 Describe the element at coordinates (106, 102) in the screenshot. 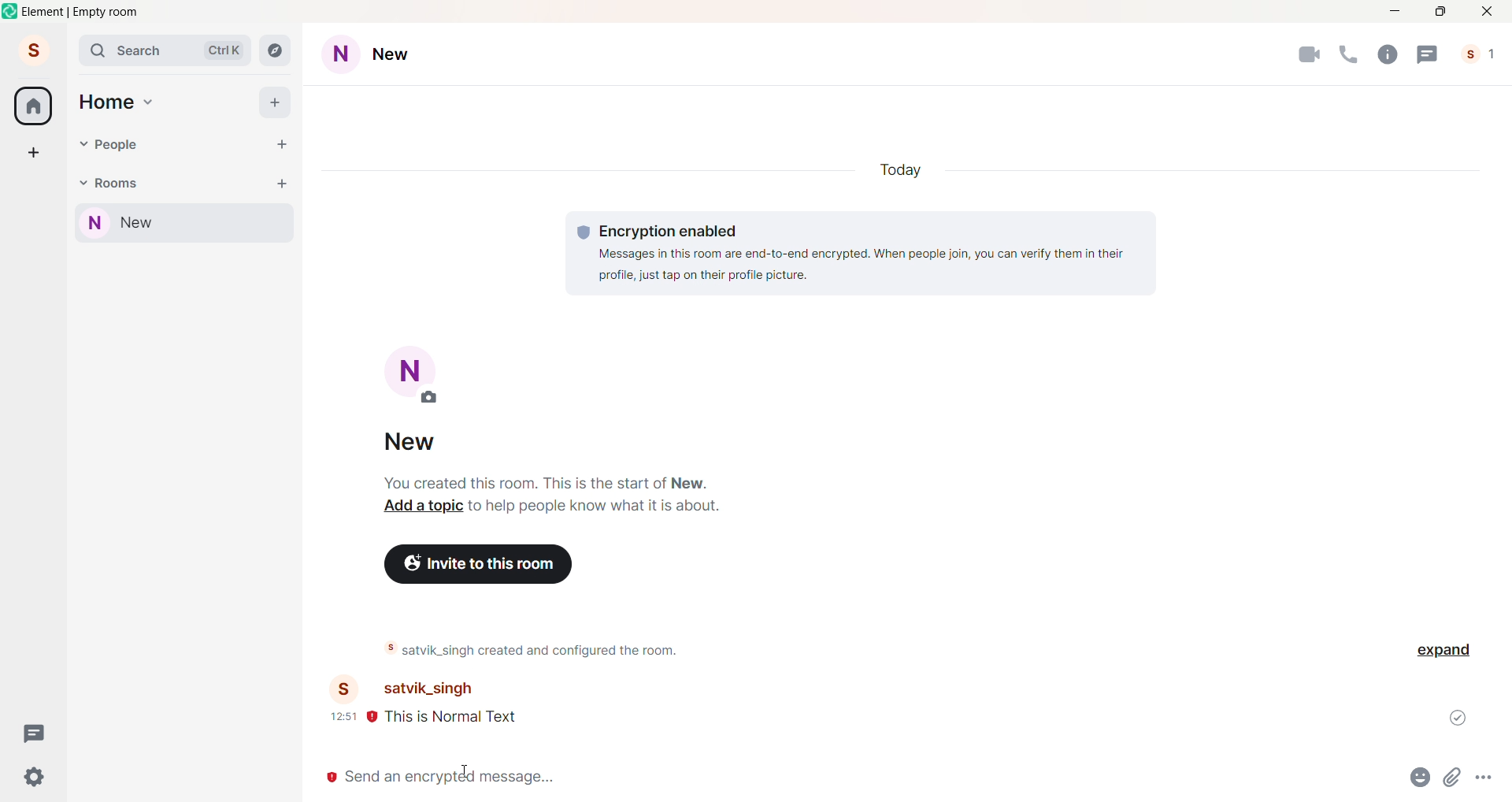

I see `Home` at that location.